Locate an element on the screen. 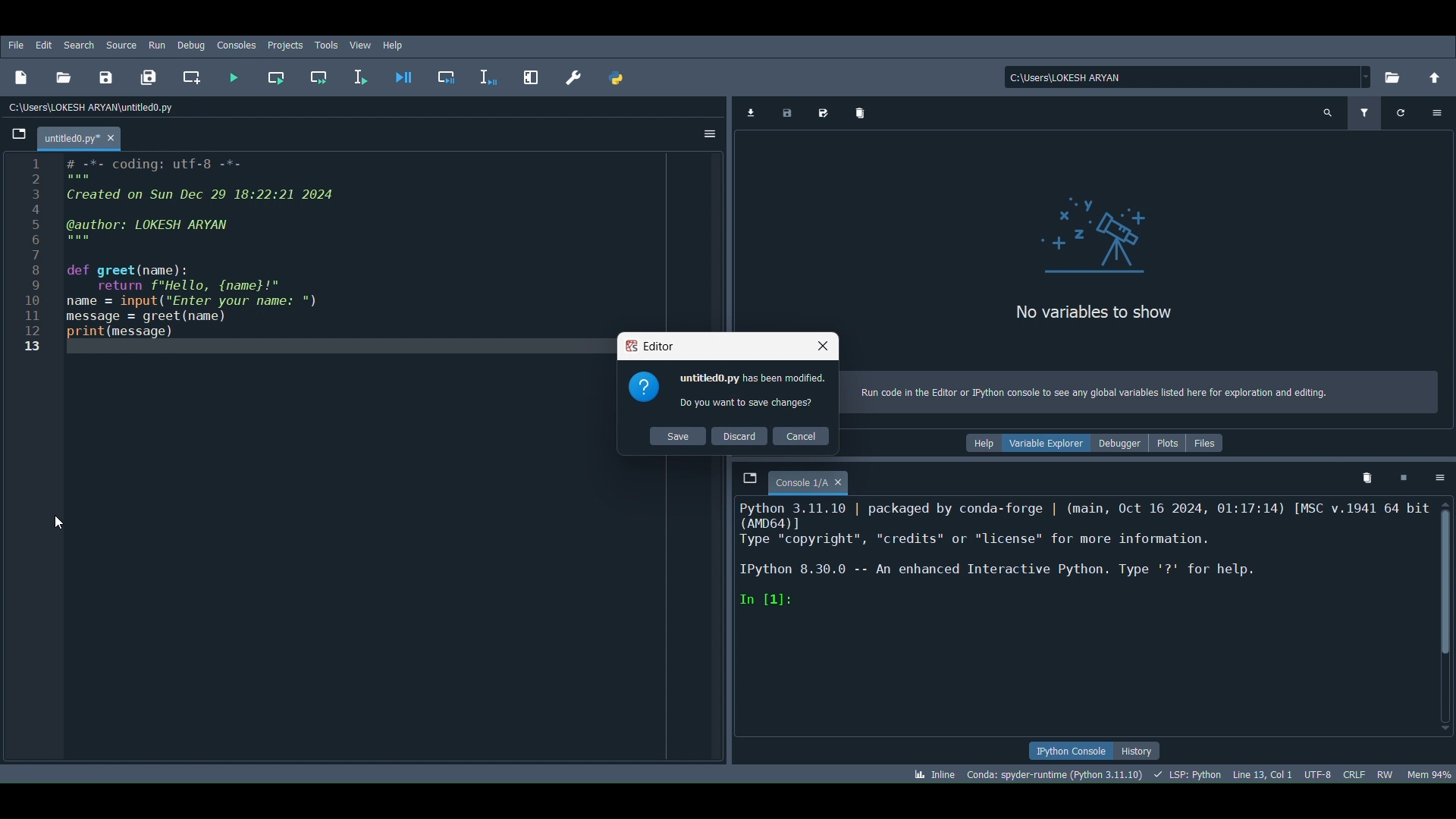 The height and width of the screenshot is (819, 1456). Consoles is located at coordinates (235, 43).